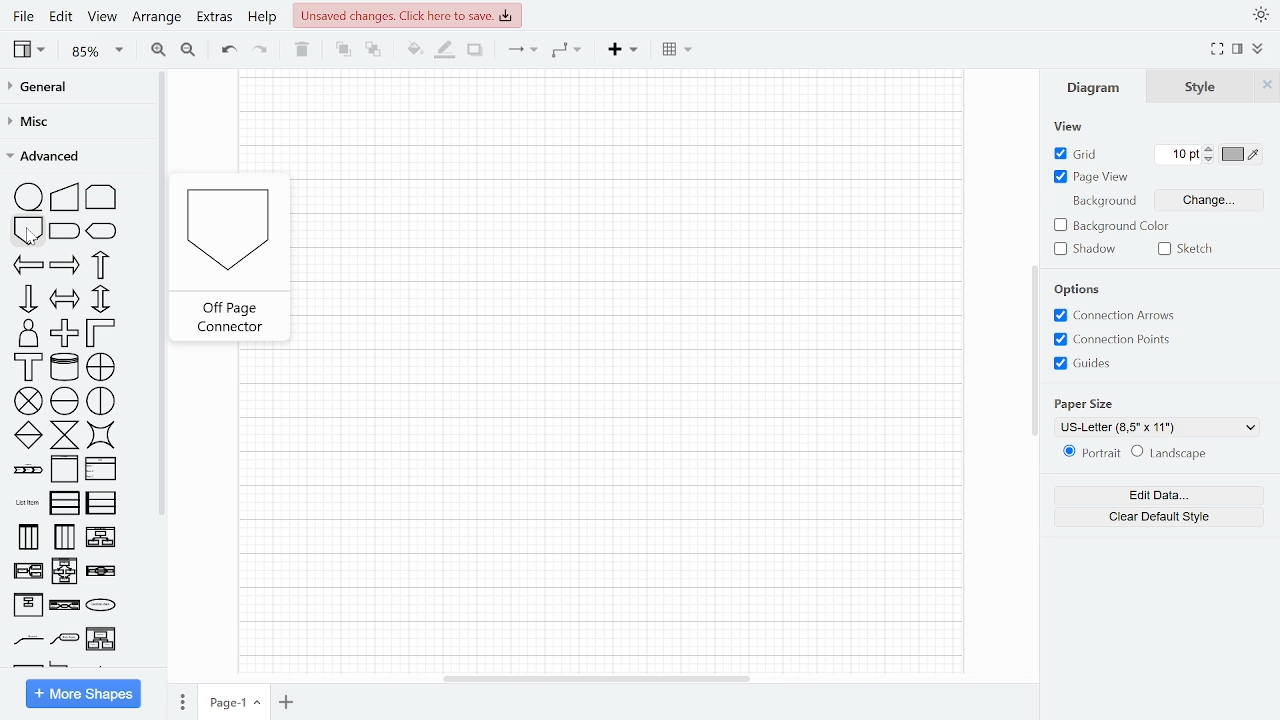 This screenshot has height=720, width=1280. Describe the element at coordinates (32, 49) in the screenshot. I see `View` at that location.